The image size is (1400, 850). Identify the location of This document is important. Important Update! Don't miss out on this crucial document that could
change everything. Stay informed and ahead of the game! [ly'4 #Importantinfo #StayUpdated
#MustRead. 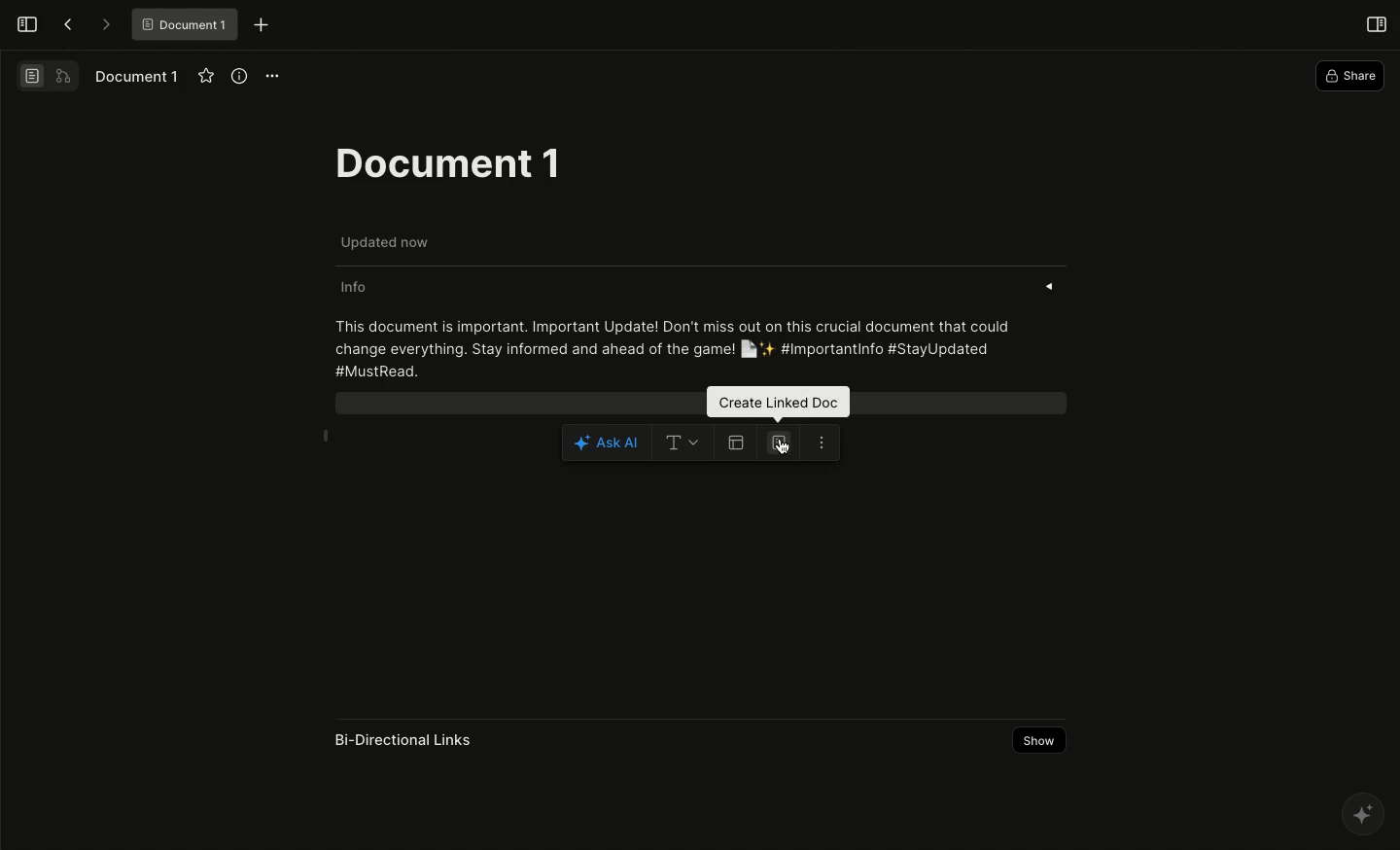
(674, 345).